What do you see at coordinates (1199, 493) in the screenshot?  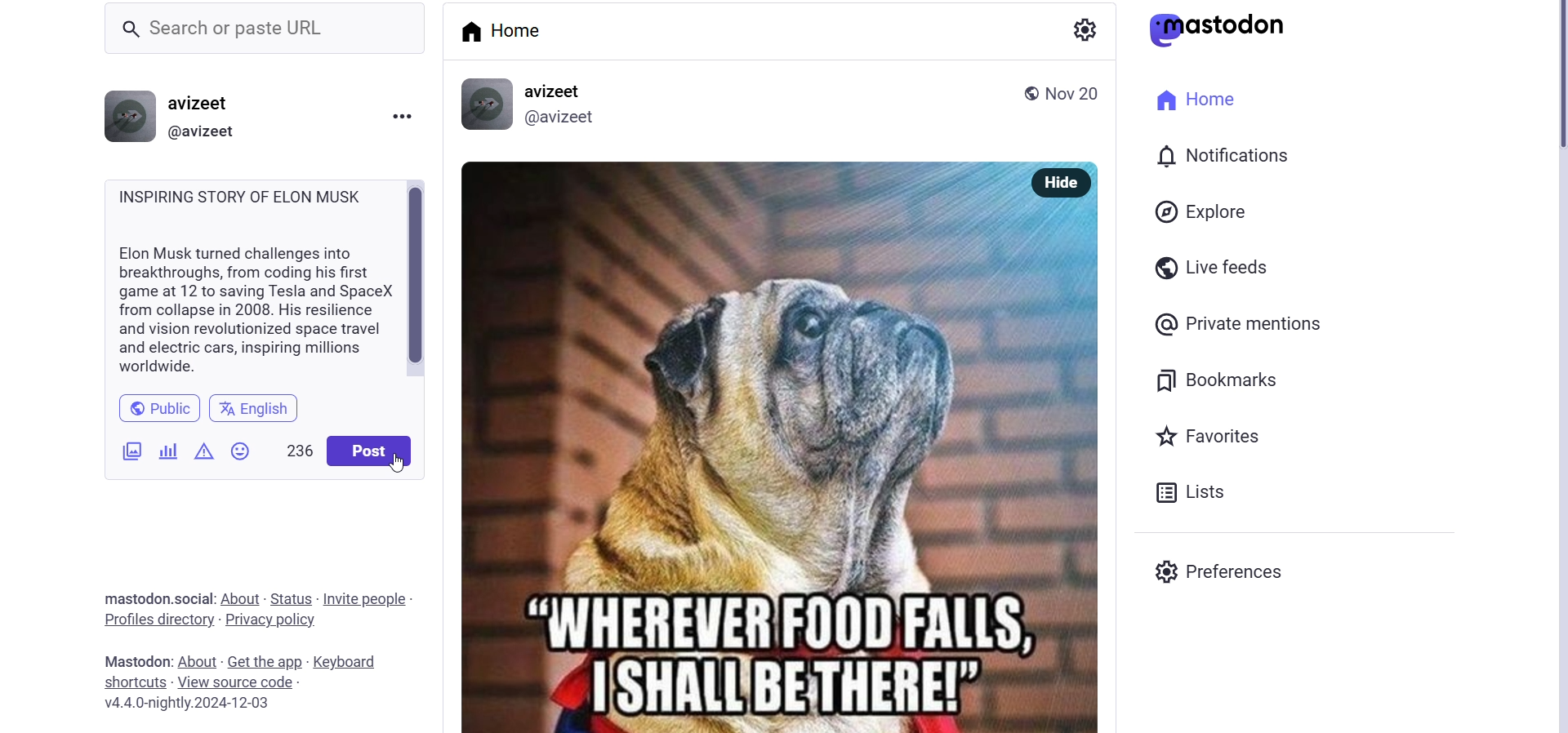 I see `Lists` at bounding box center [1199, 493].